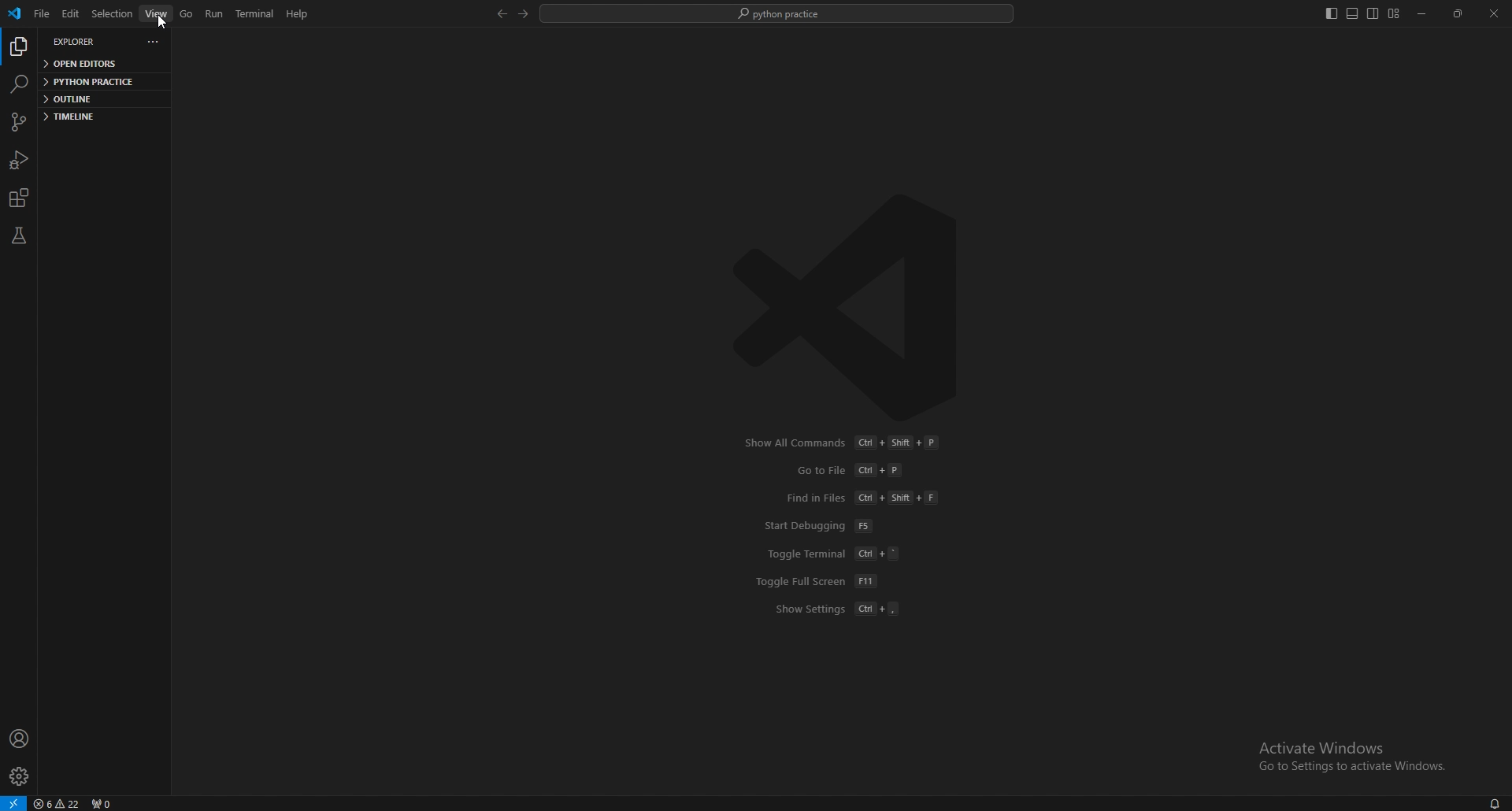  Describe the element at coordinates (21, 739) in the screenshot. I see `profile` at that location.